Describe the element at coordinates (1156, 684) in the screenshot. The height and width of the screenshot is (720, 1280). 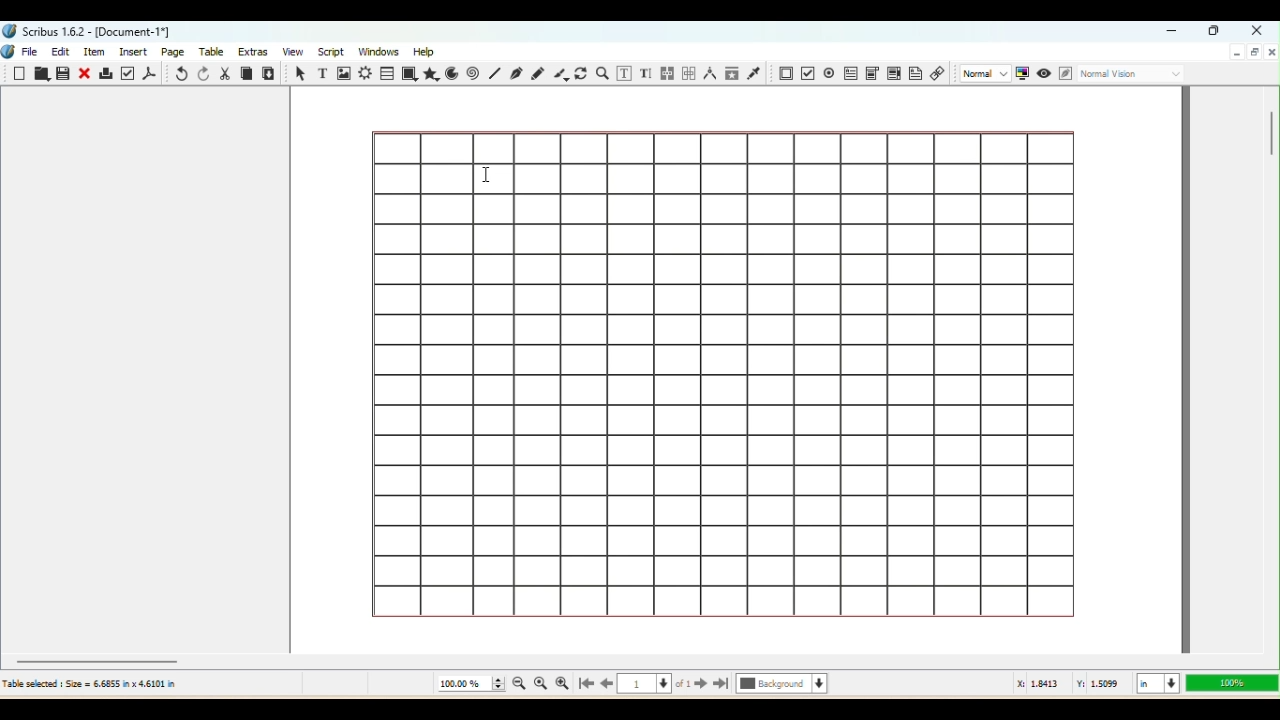
I see `Select the current Unit` at that location.